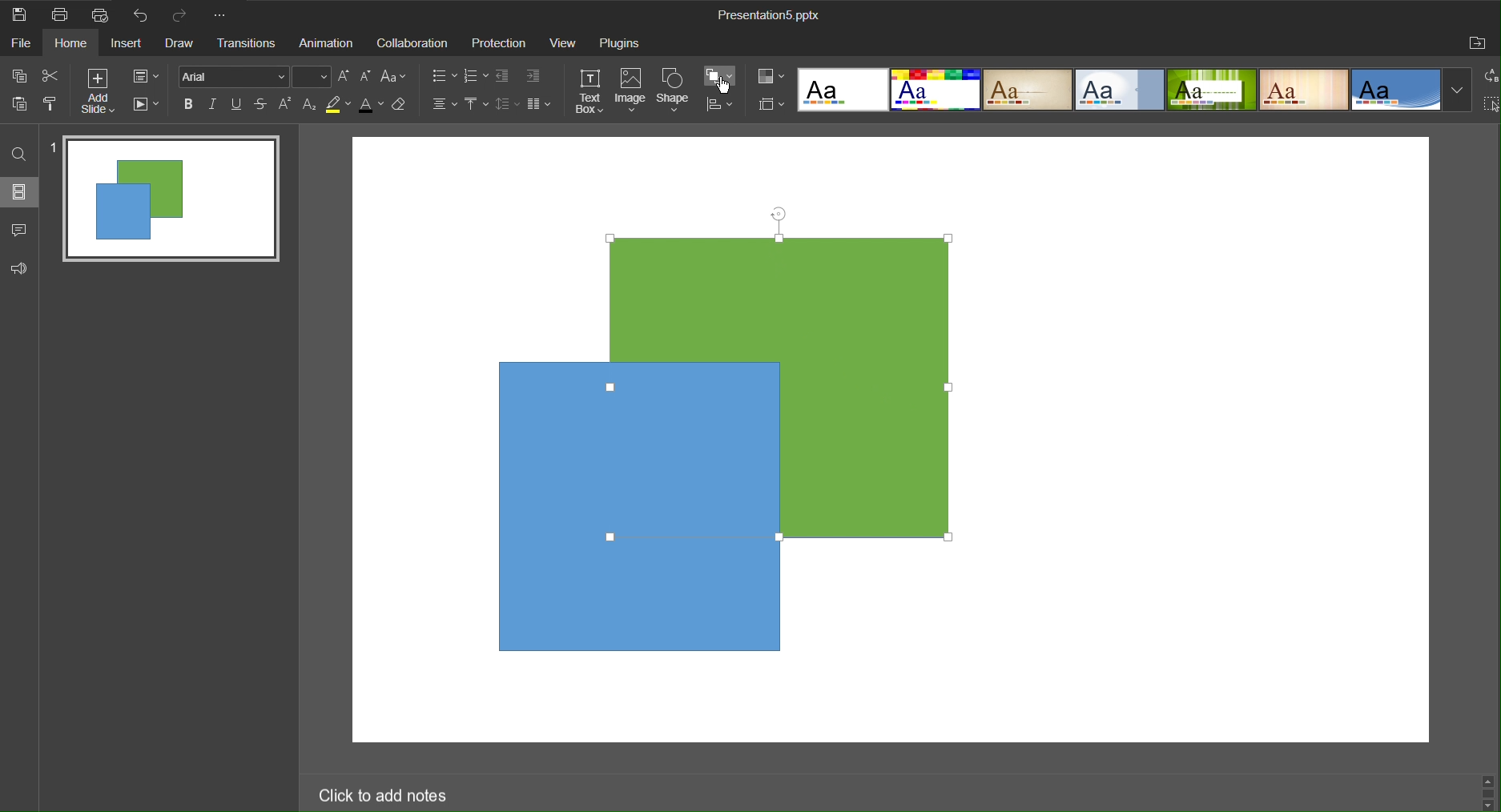 The width and height of the screenshot is (1501, 812). What do you see at coordinates (53, 105) in the screenshot?
I see `Copy Style` at bounding box center [53, 105].